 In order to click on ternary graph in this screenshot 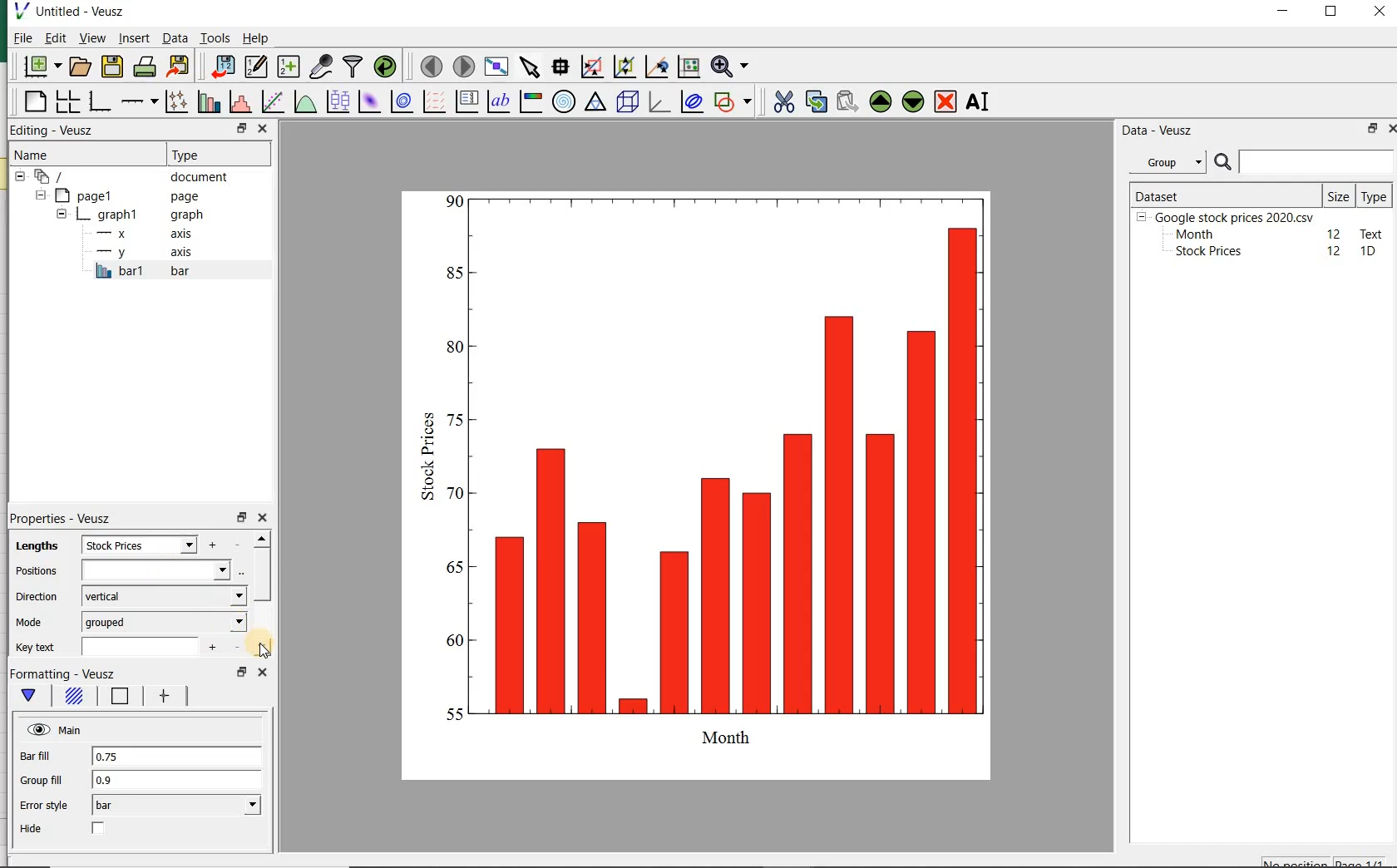, I will do `click(595, 103)`.